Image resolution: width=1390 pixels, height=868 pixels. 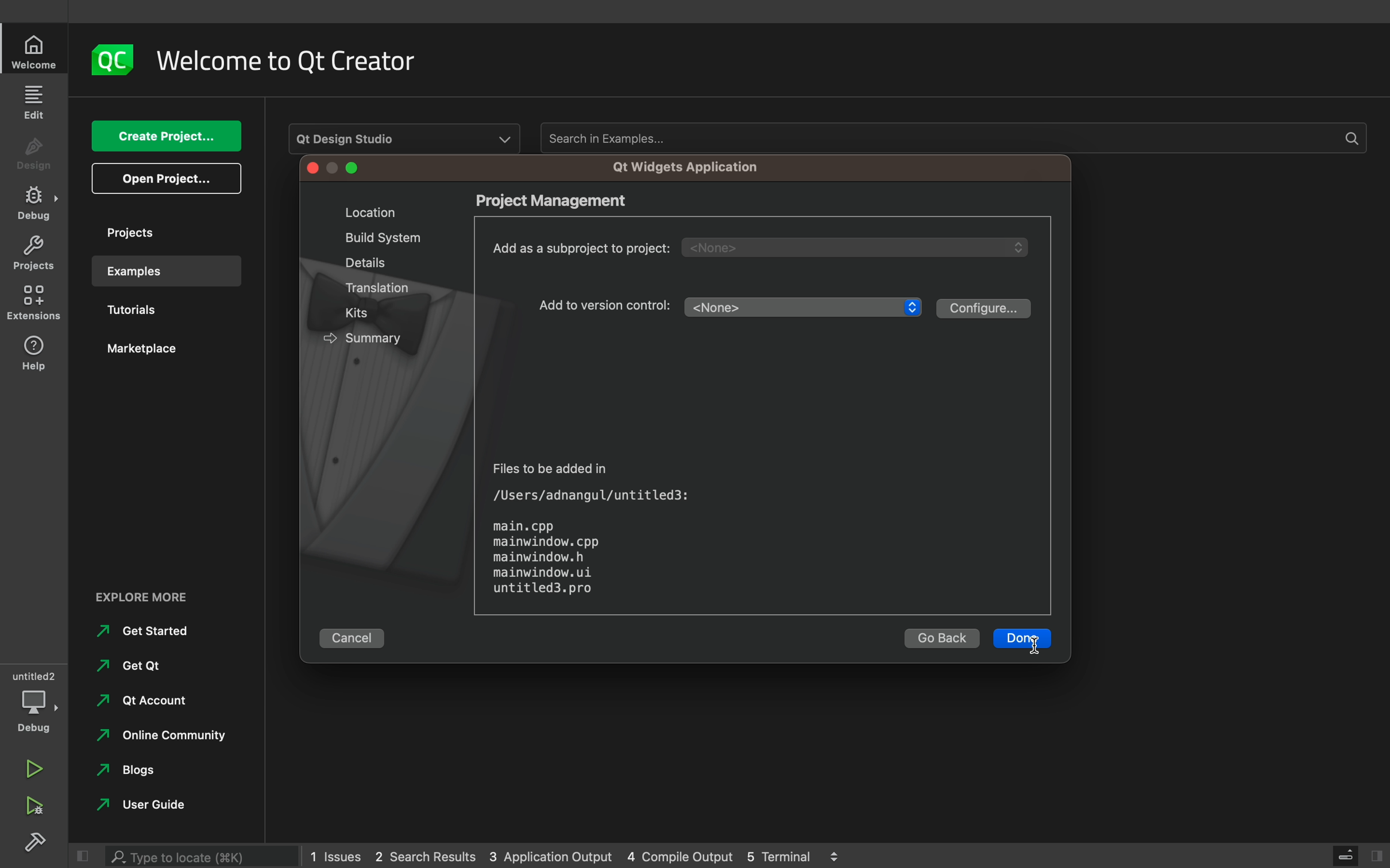 I want to click on 3 application output, so click(x=550, y=857).